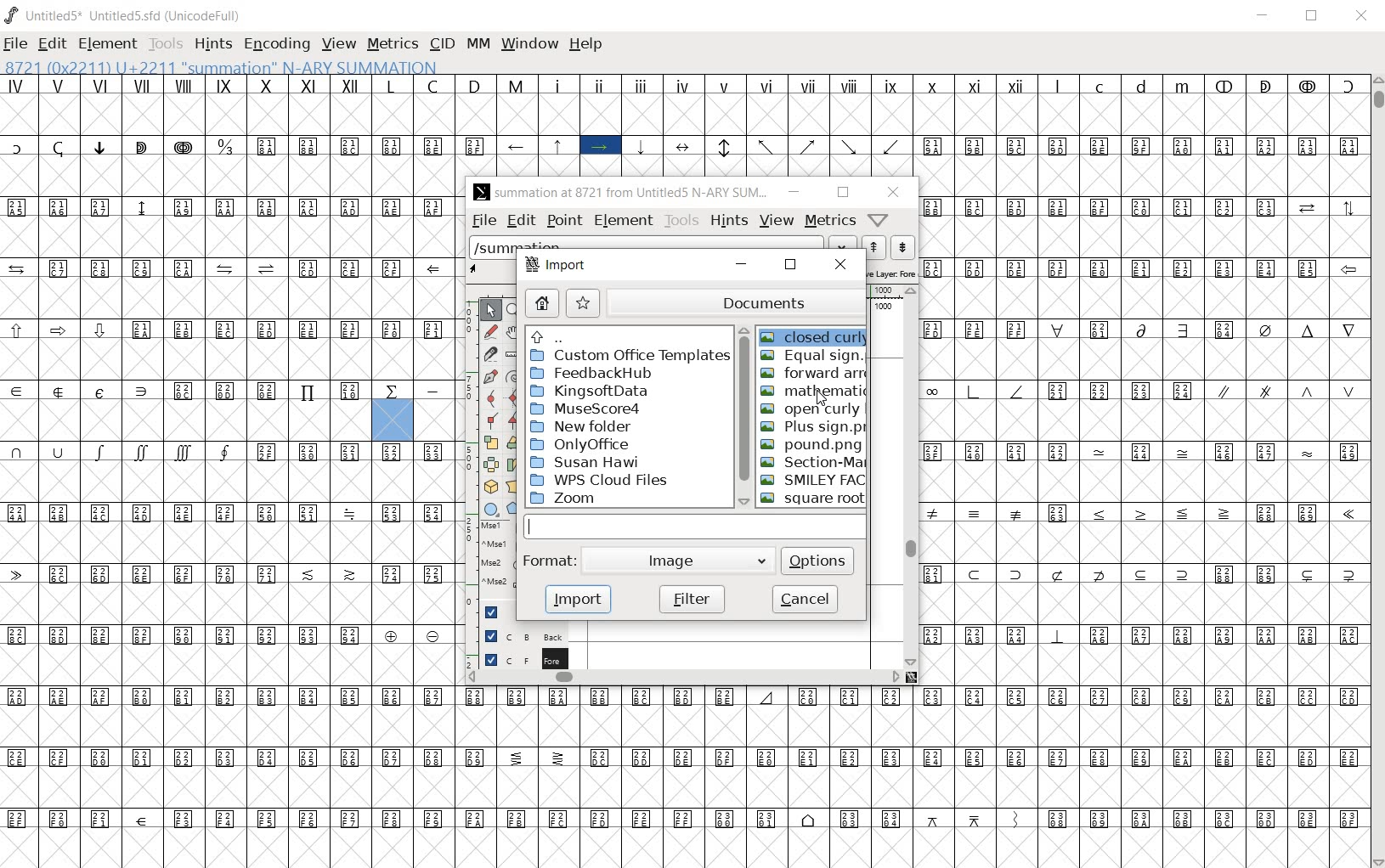 The width and height of the screenshot is (1385, 868). Describe the element at coordinates (515, 420) in the screenshot. I see `Add a corner point` at that location.